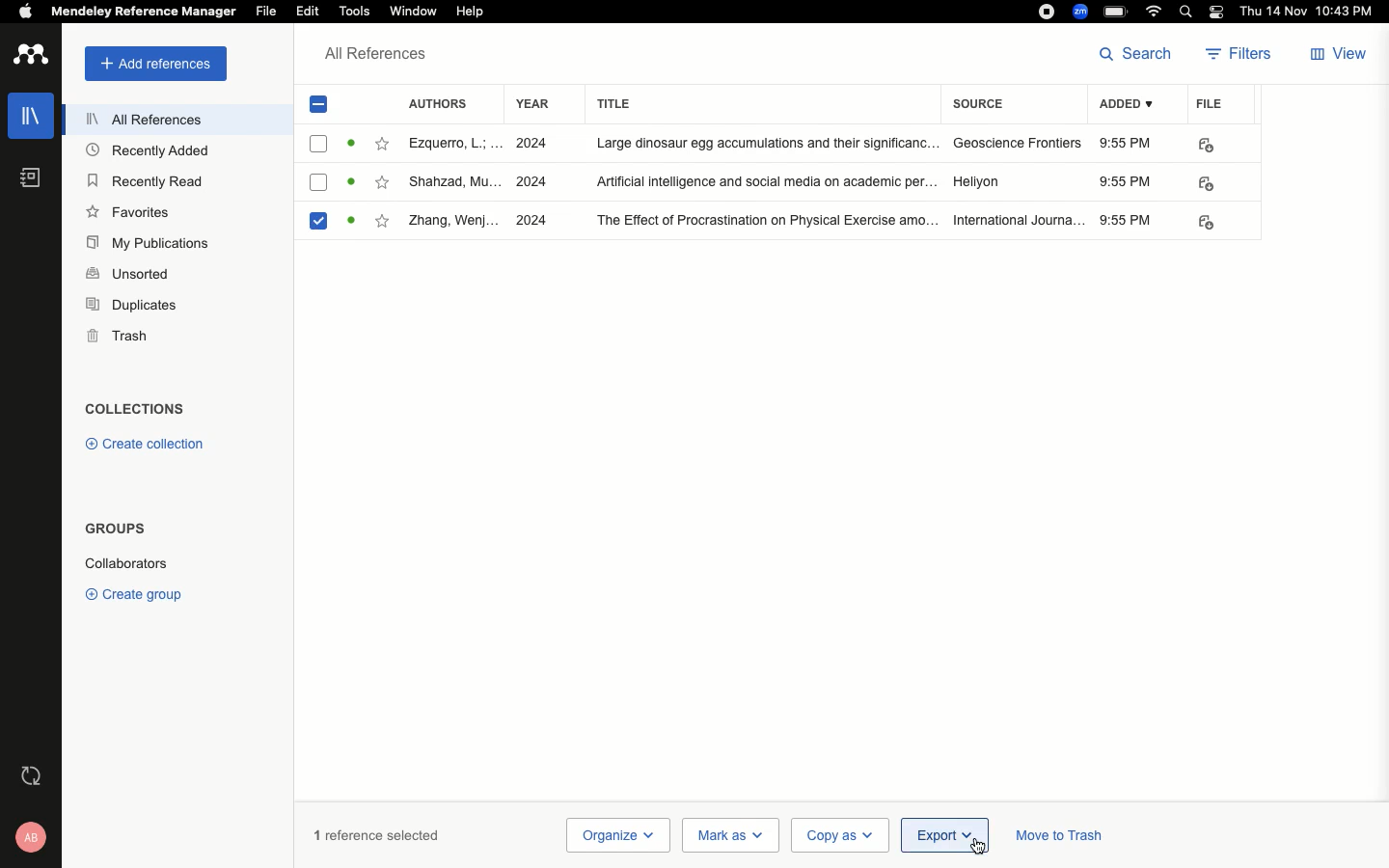 Image resolution: width=1389 pixels, height=868 pixels. What do you see at coordinates (1081, 12) in the screenshot?
I see `Zoom` at bounding box center [1081, 12].